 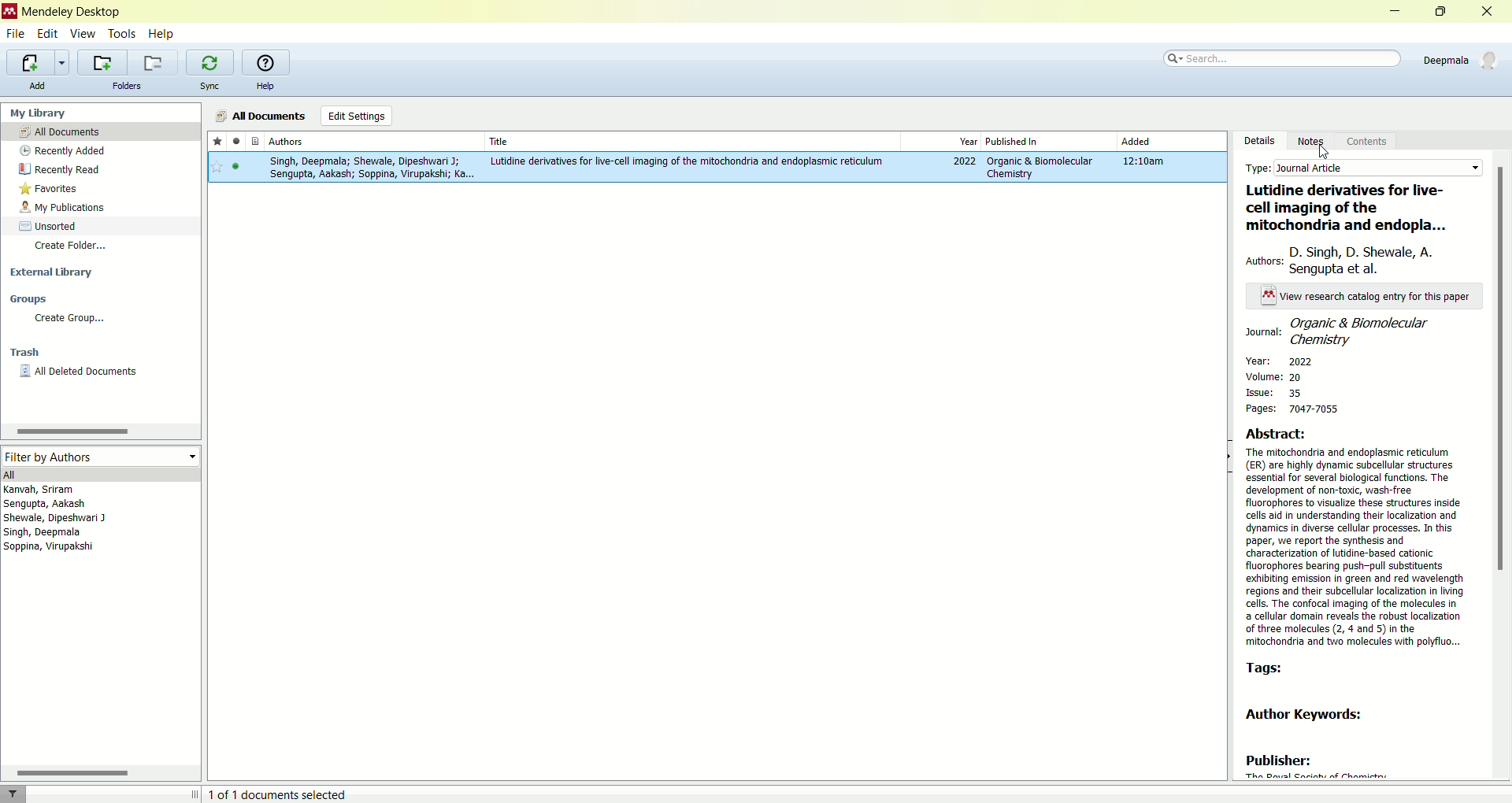 What do you see at coordinates (153, 63) in the screenshot?
I see `remove the current folder` at bounding box center [153, 63].